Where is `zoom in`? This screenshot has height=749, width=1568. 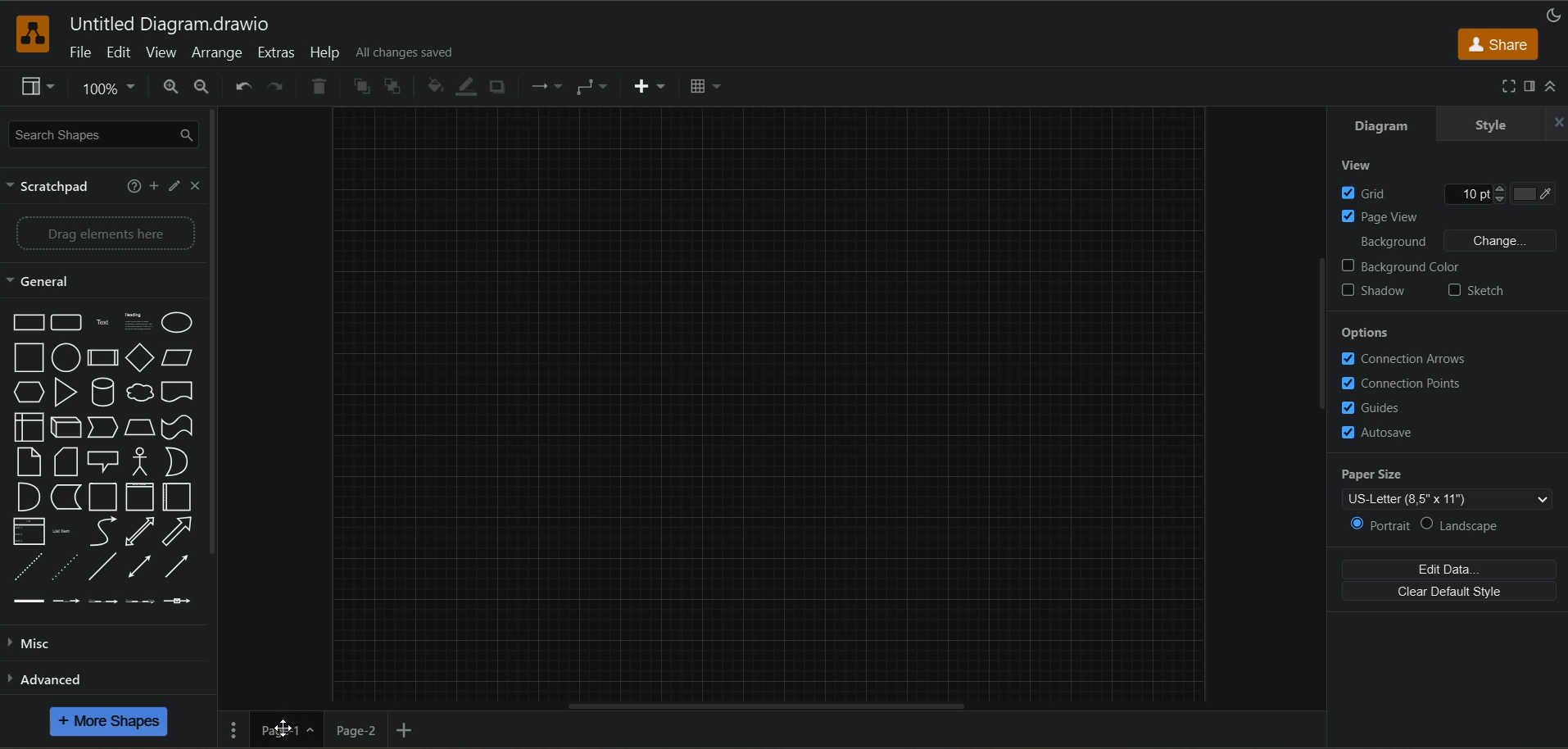 zoom in is located at coordinates (172, 88).